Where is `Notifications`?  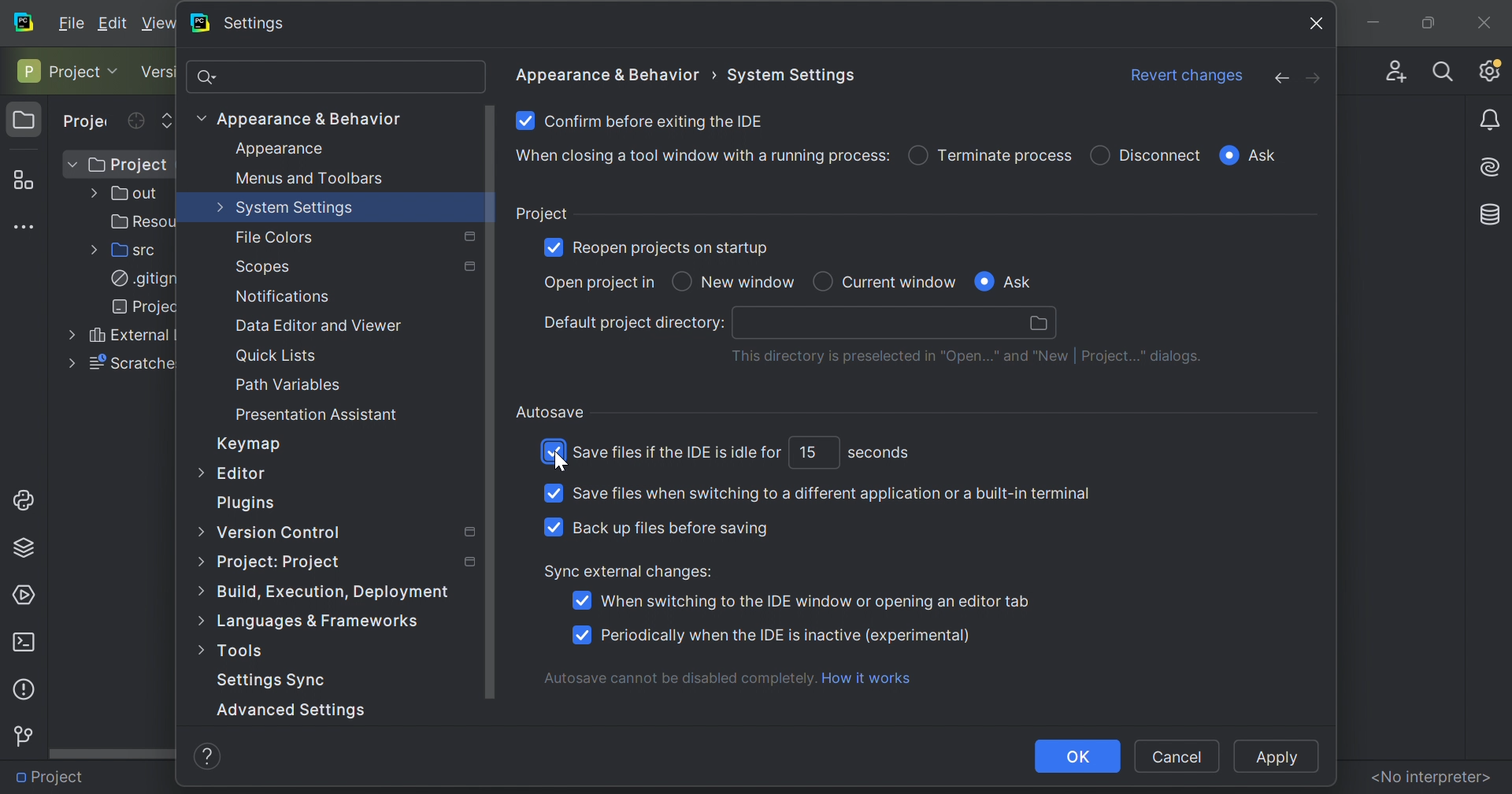 Notifications is located at coordinates (282, 296).